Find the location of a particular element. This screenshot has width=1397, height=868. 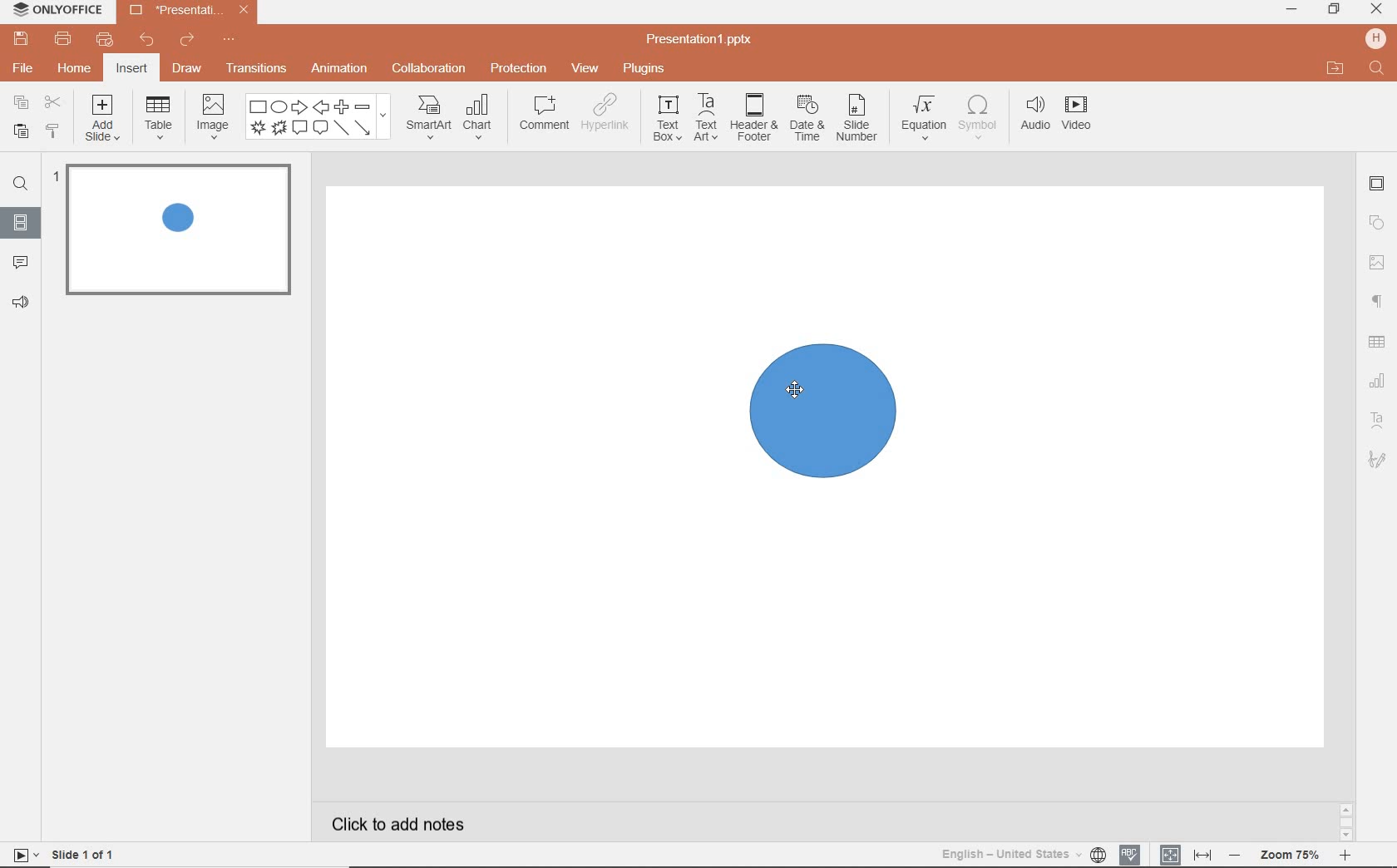

draw is located at coordinates (187, 72).